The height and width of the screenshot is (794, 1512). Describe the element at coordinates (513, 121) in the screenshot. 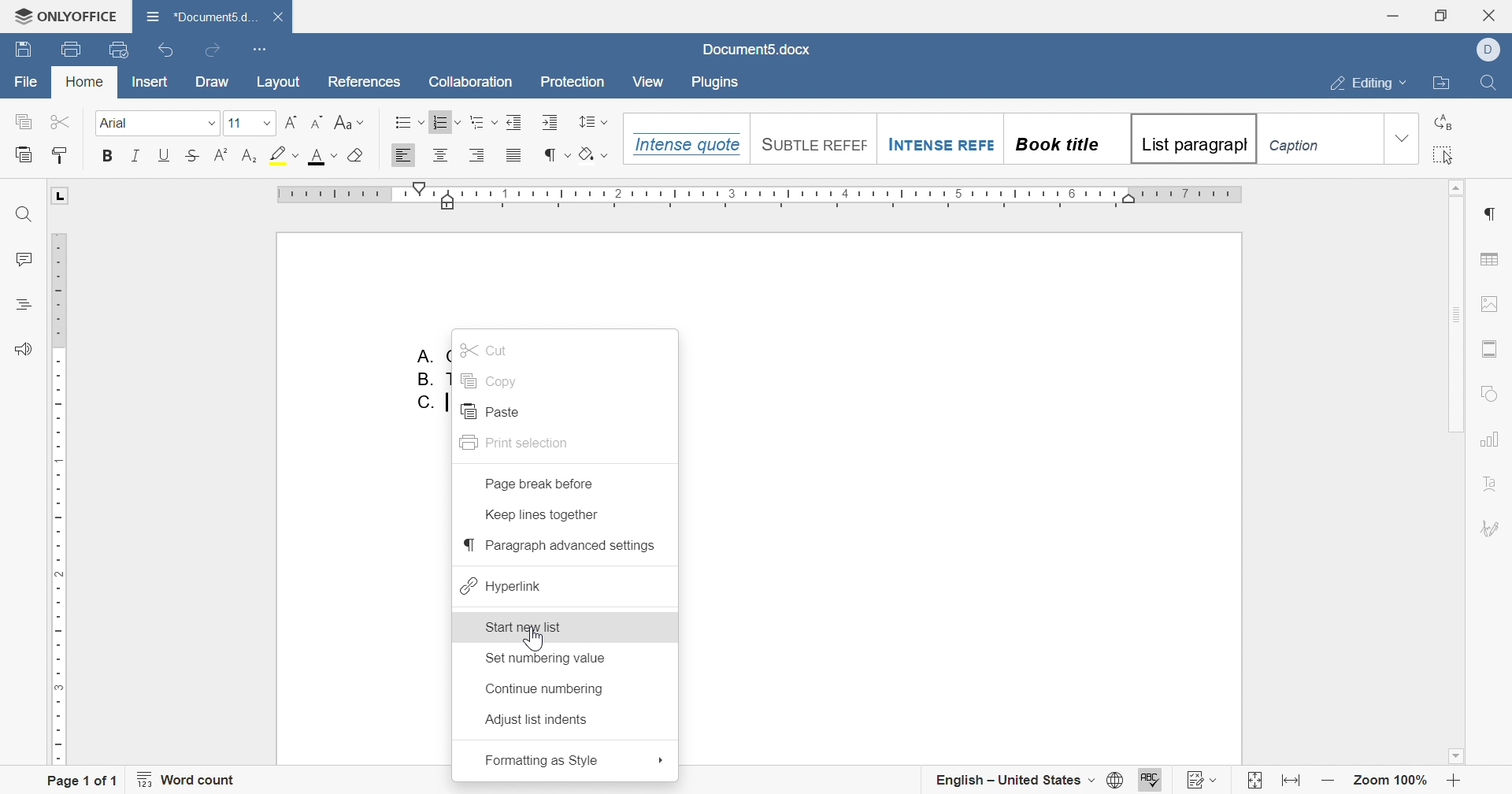

I see `Increase Indent` at that location.